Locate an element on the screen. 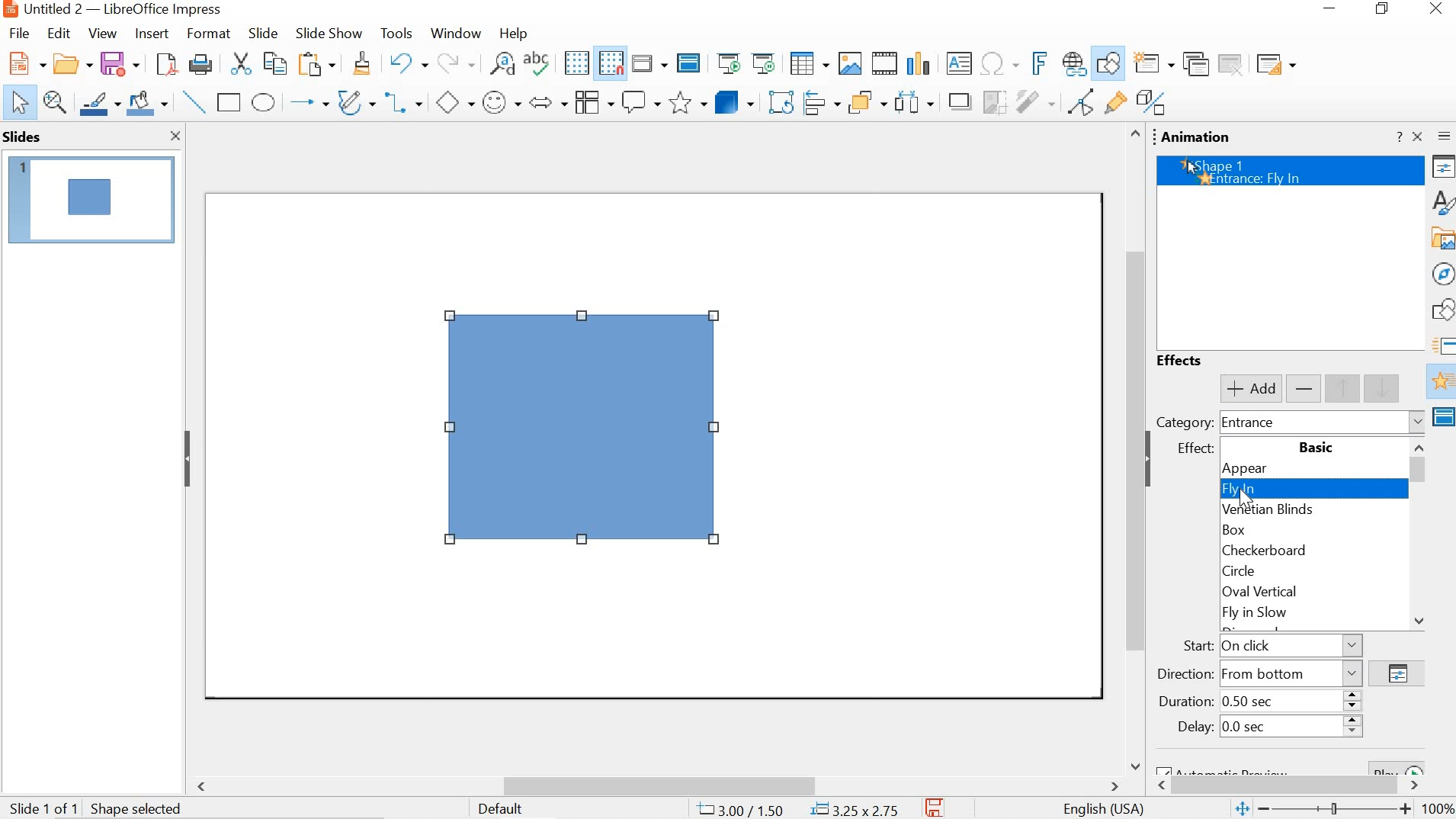 This screenshot has height=819, width=1456. open is located at coordinates (24, 62).